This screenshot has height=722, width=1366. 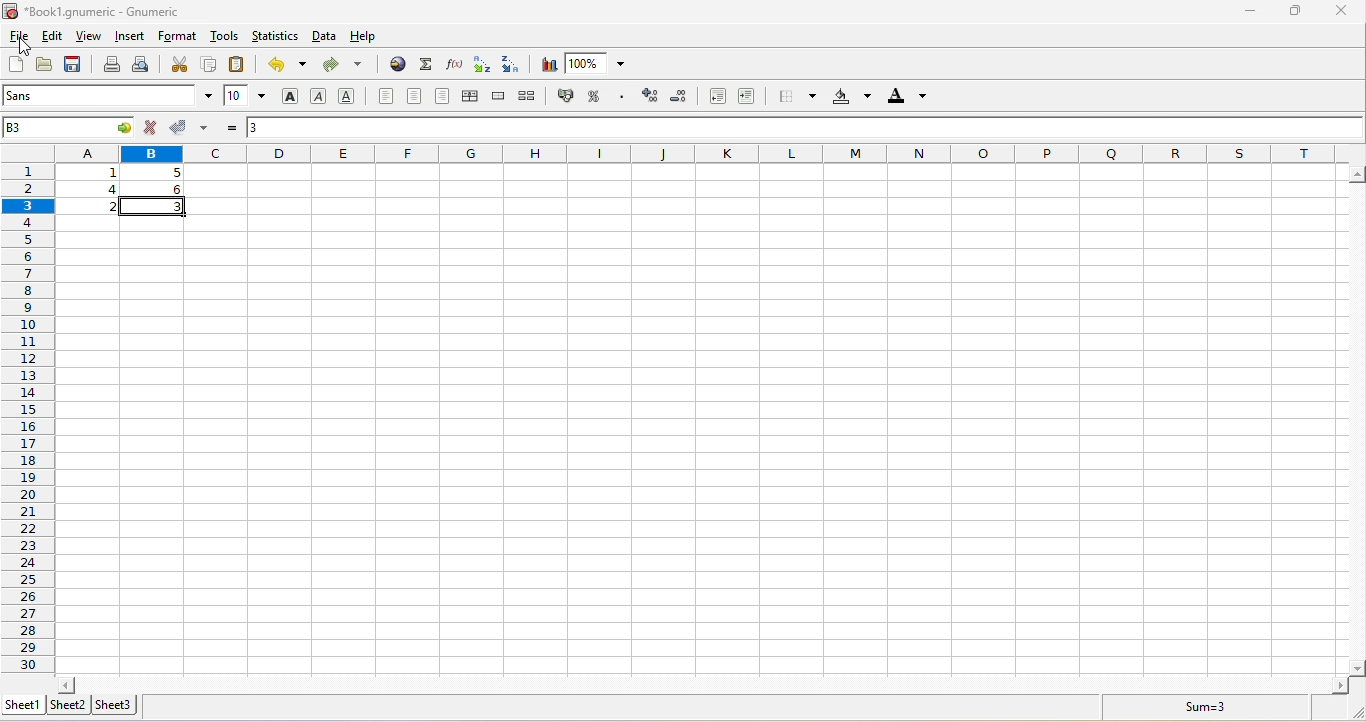 What do you see at coordinates (347, 97) in the screenshot?
I see `underline` at bounding box center [347, 97].